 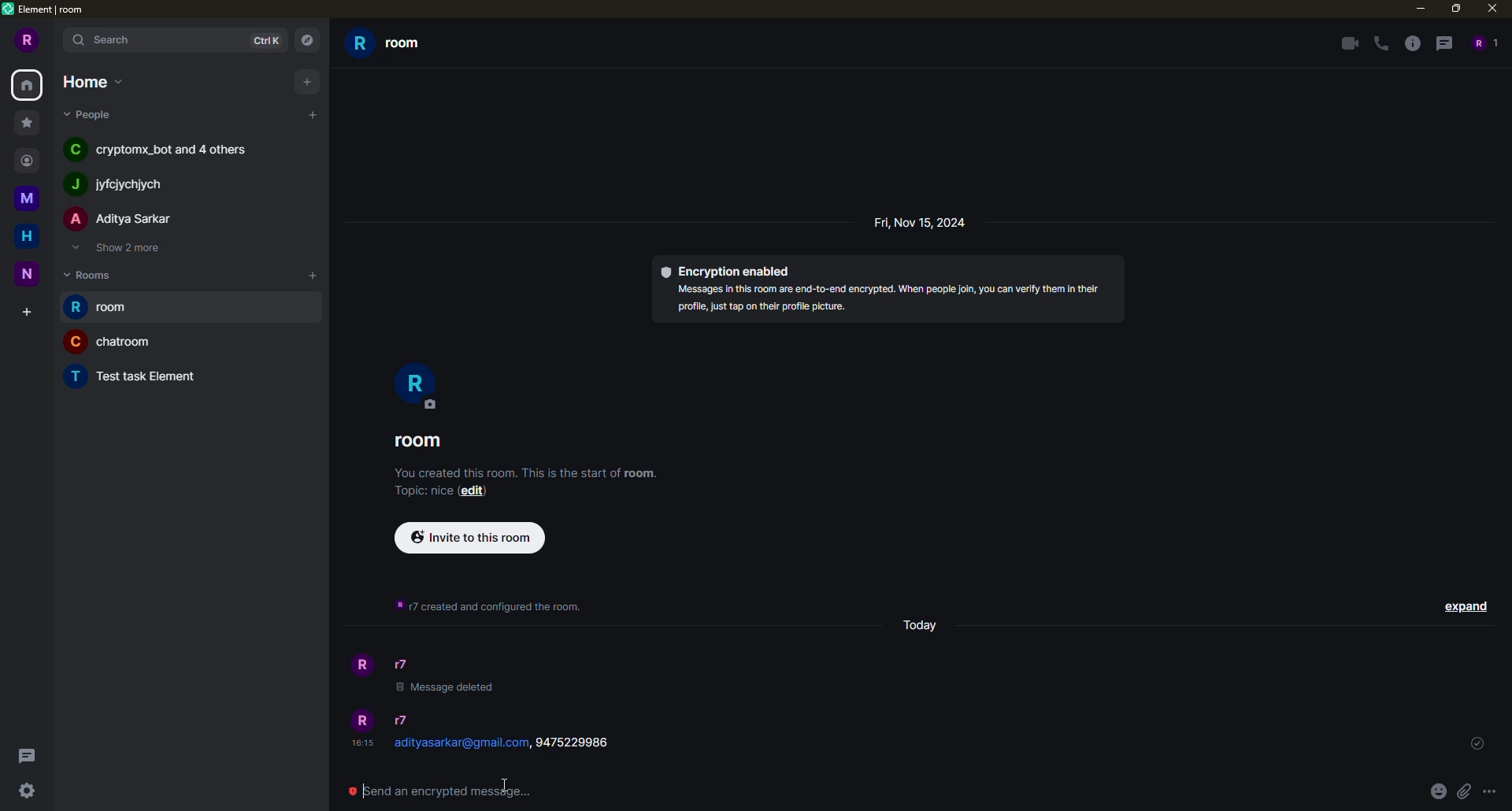 What do you see at coordinates (392, 45) in the screenshot?
I see `room` at bounding box center [392, 45].